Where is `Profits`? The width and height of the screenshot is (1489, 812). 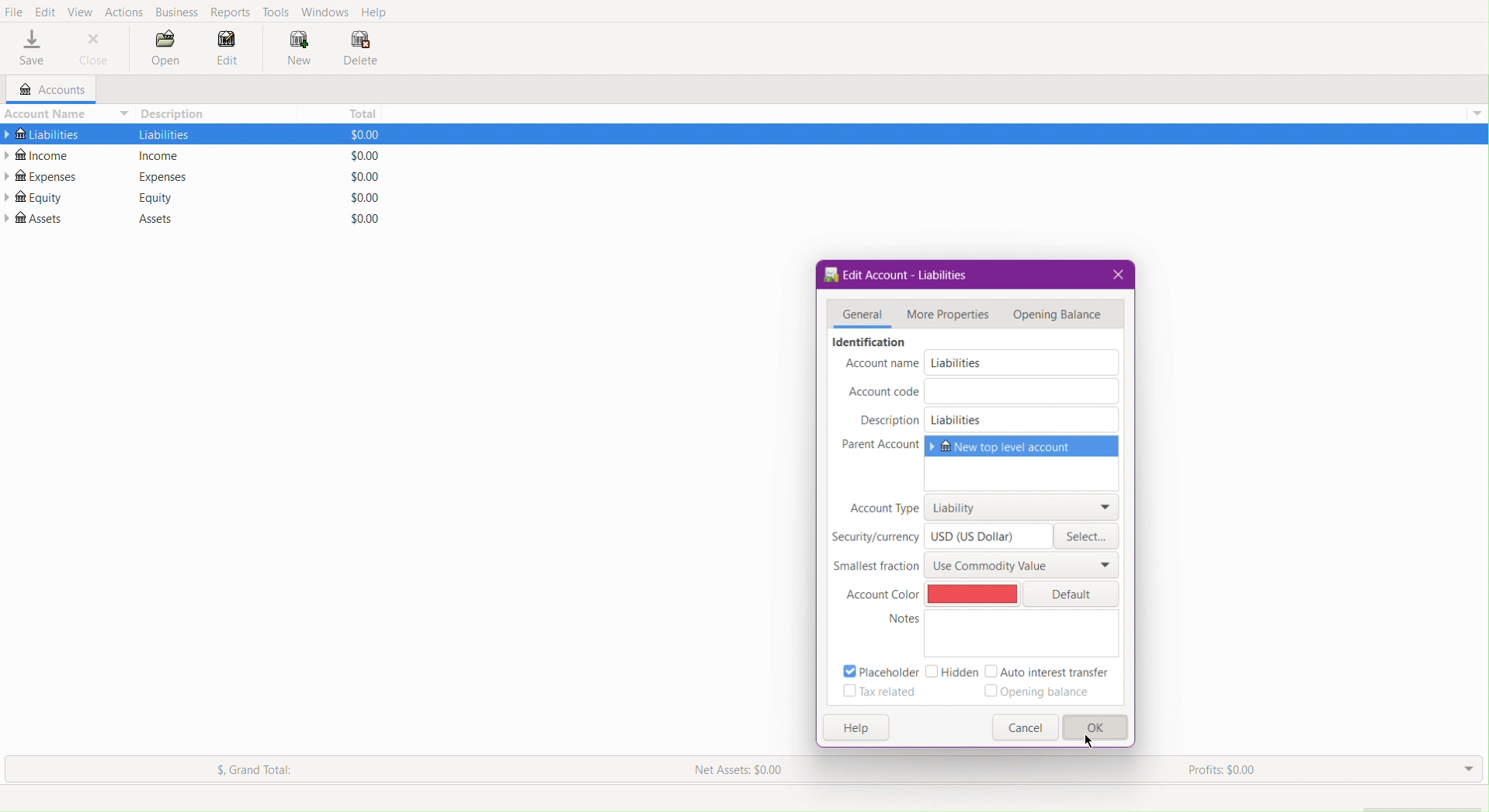
Profits is located at coordinates (1221, 771).